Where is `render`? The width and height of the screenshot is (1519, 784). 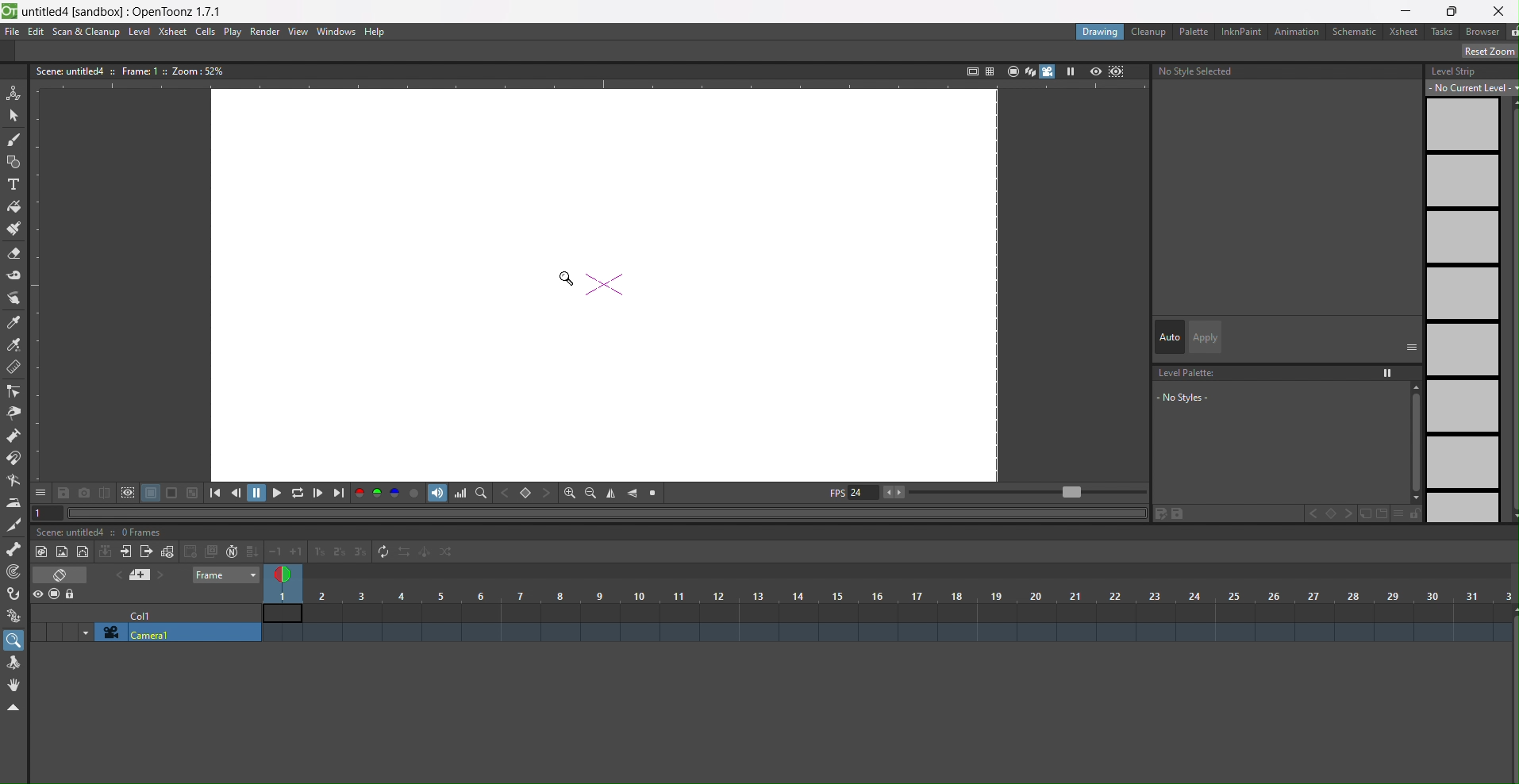
render is located at coordinates (266, 33).